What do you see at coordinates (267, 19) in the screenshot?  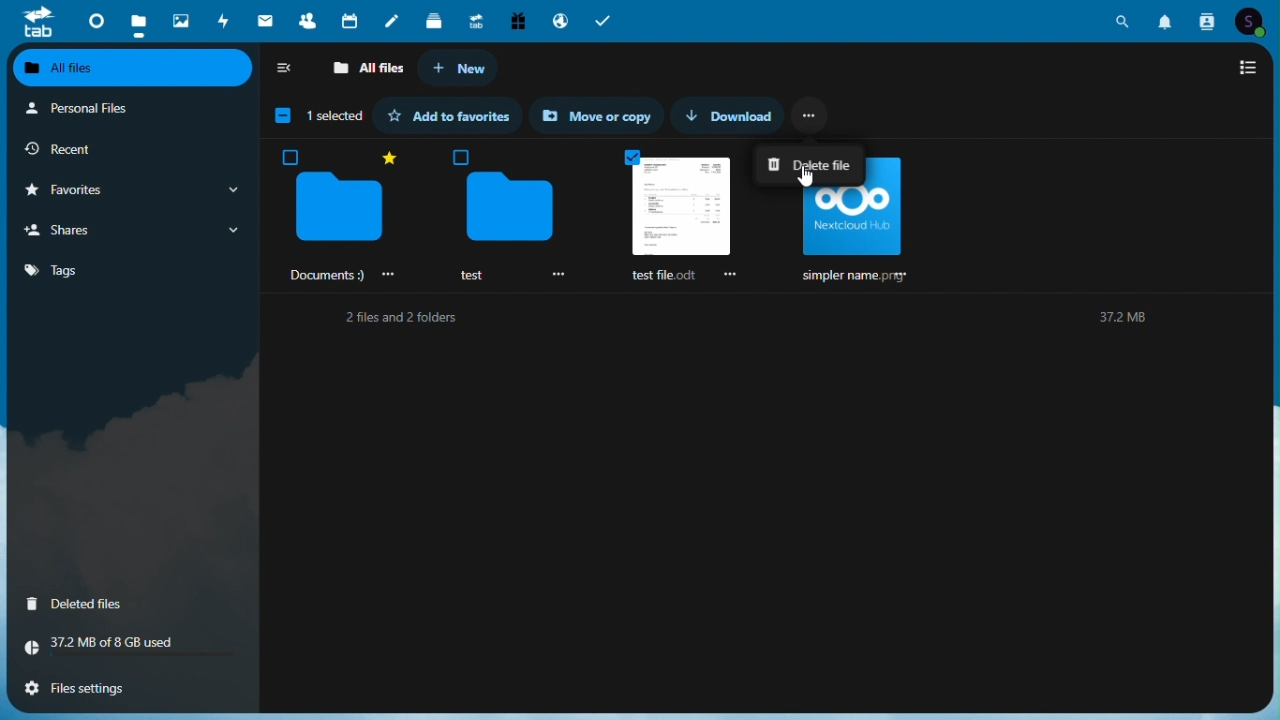 I see `mail` at bounding box center [267, 19].